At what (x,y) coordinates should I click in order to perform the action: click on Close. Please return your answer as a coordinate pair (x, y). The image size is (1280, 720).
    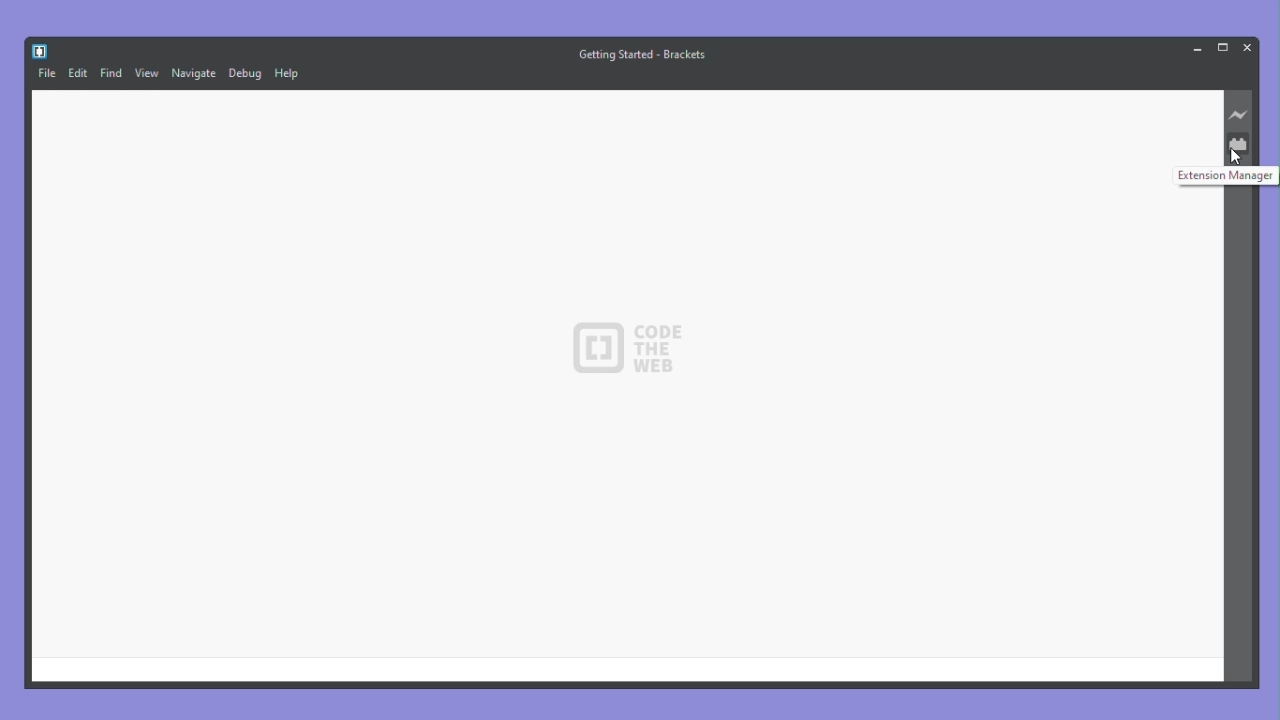
    Looking at the image, I should click on (1247, 47).